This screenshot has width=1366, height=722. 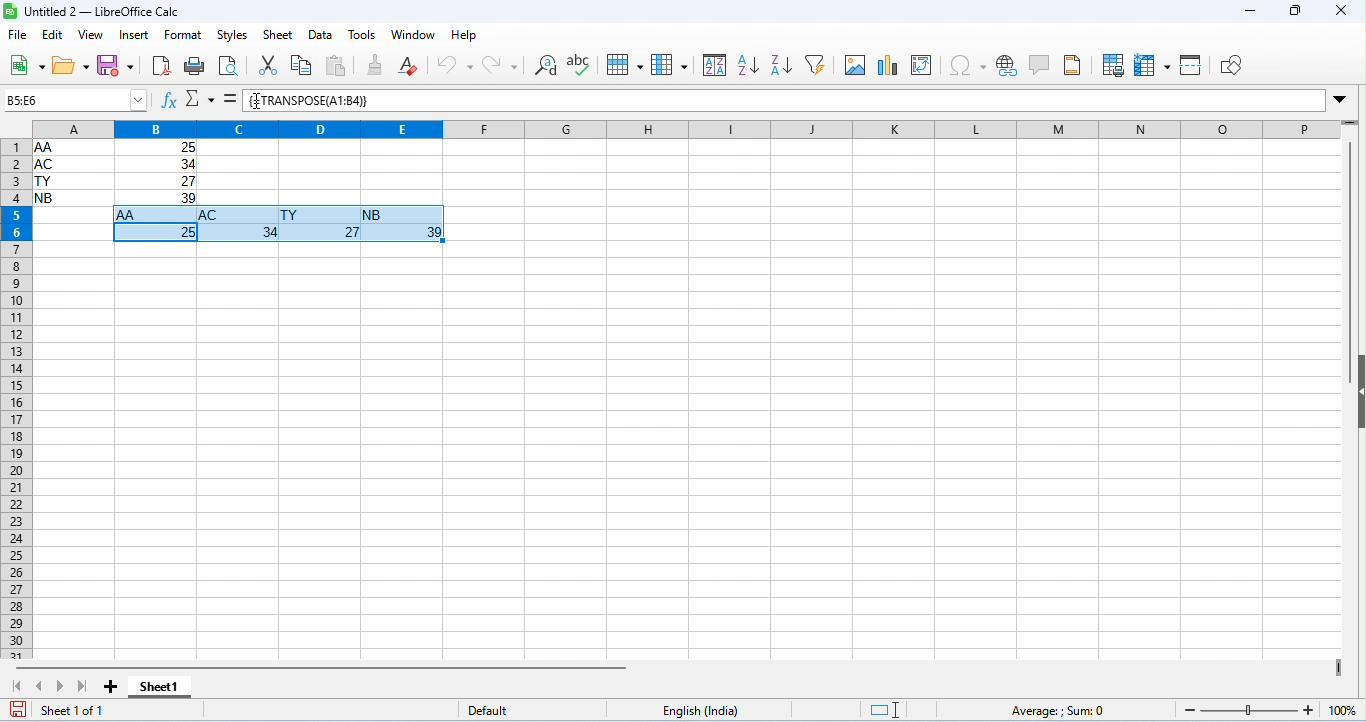 What do you see at coordinates (306, 100) in the screenshot?
I see `formula for transpose` at bounding box center [306, 100].